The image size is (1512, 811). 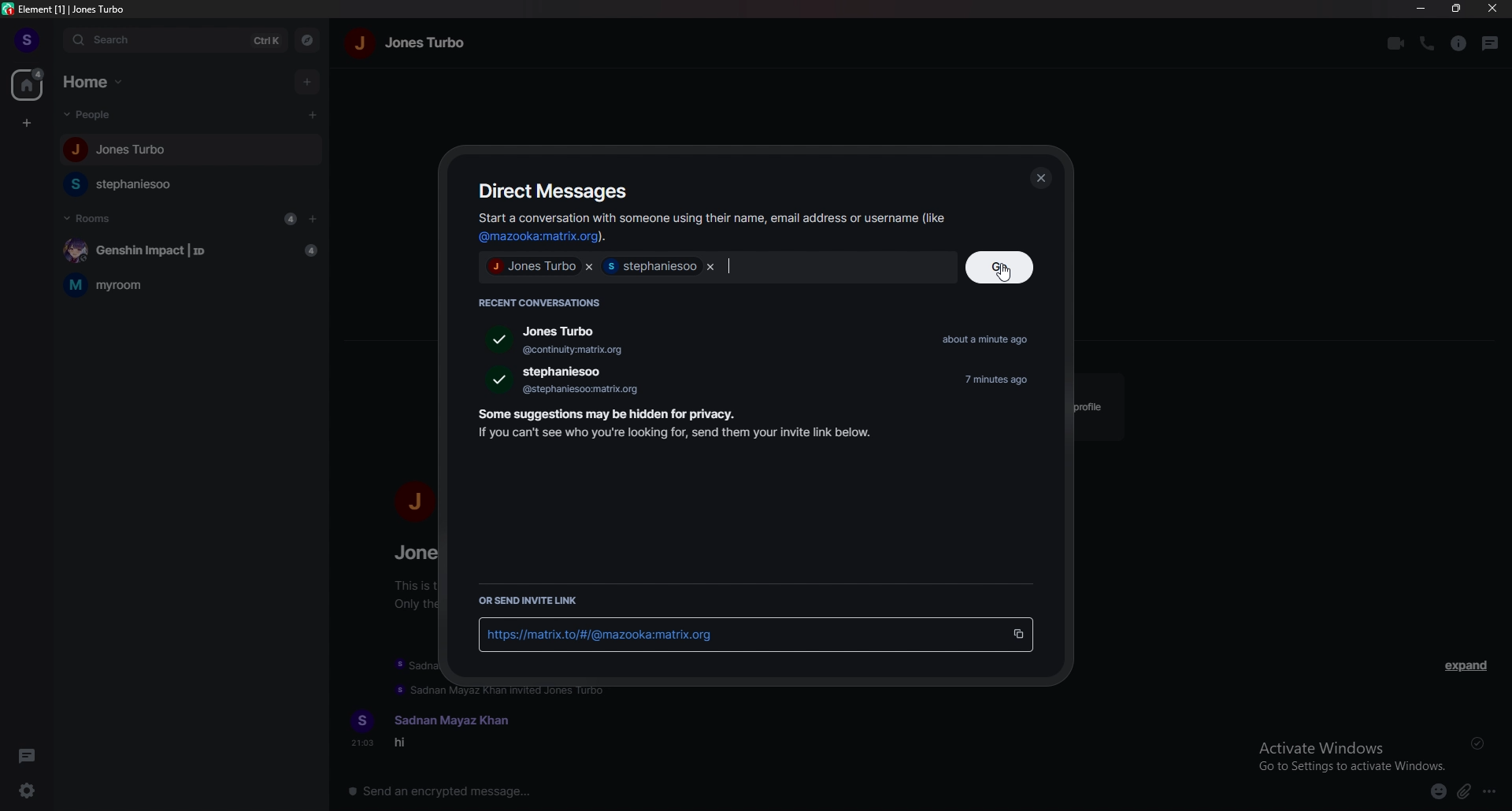 I want to click on minimize, so click(x=1422, y=8).